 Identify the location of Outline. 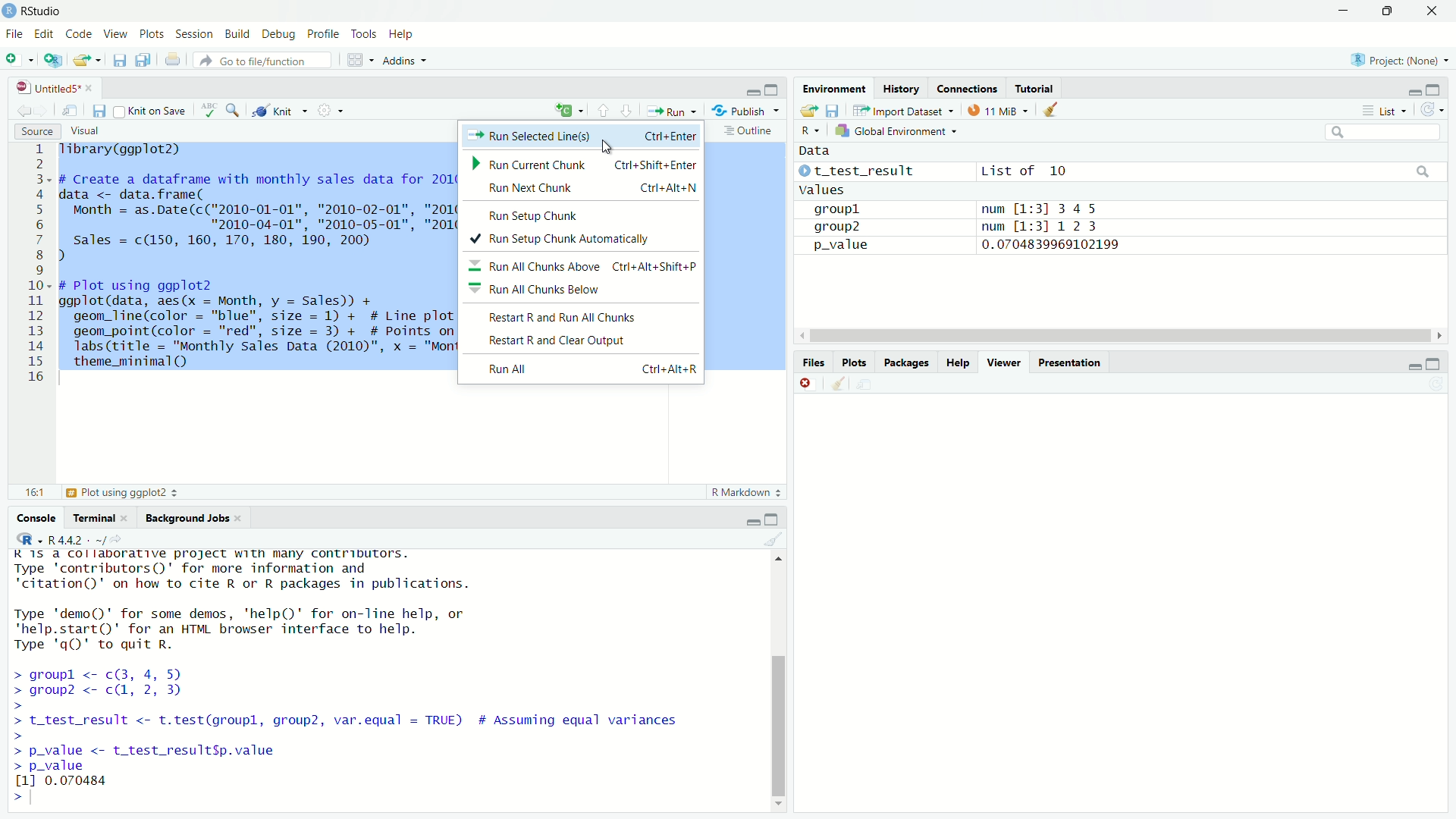
(744, 130).